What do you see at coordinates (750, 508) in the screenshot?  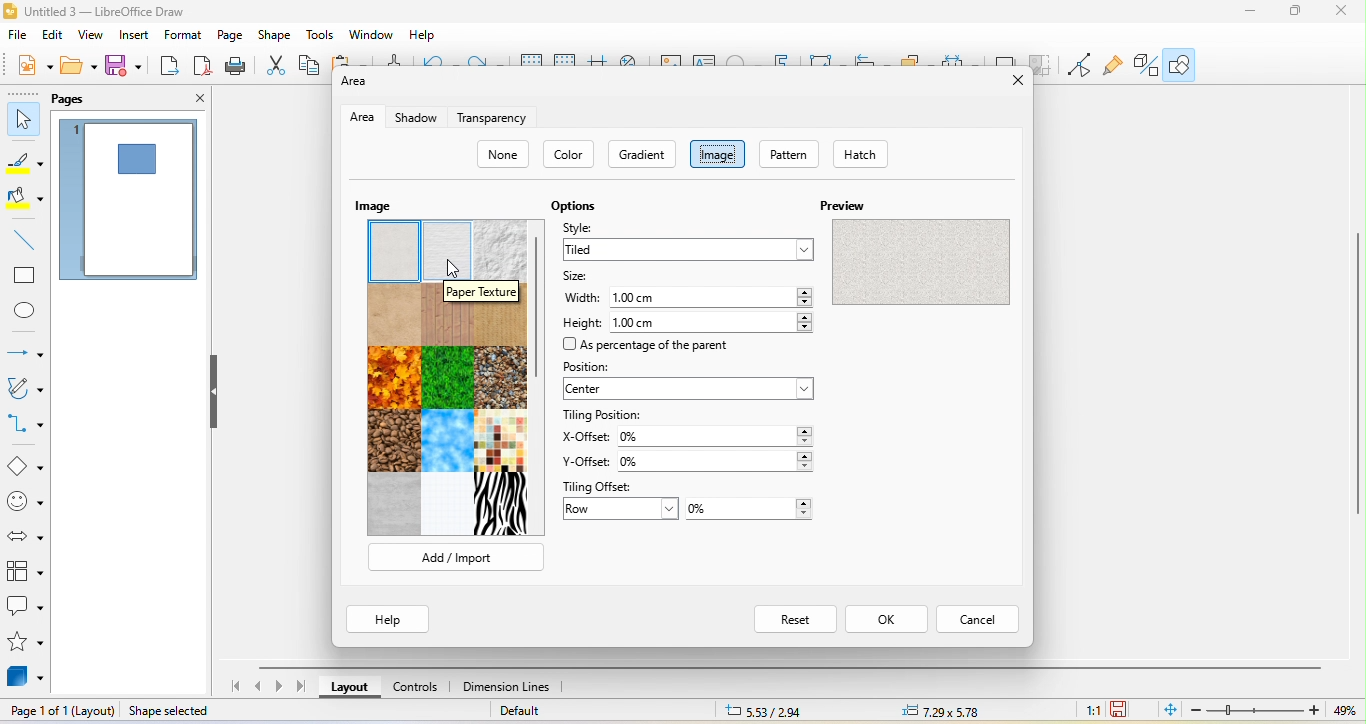 I see `0%` at bounding box center [750, 508].